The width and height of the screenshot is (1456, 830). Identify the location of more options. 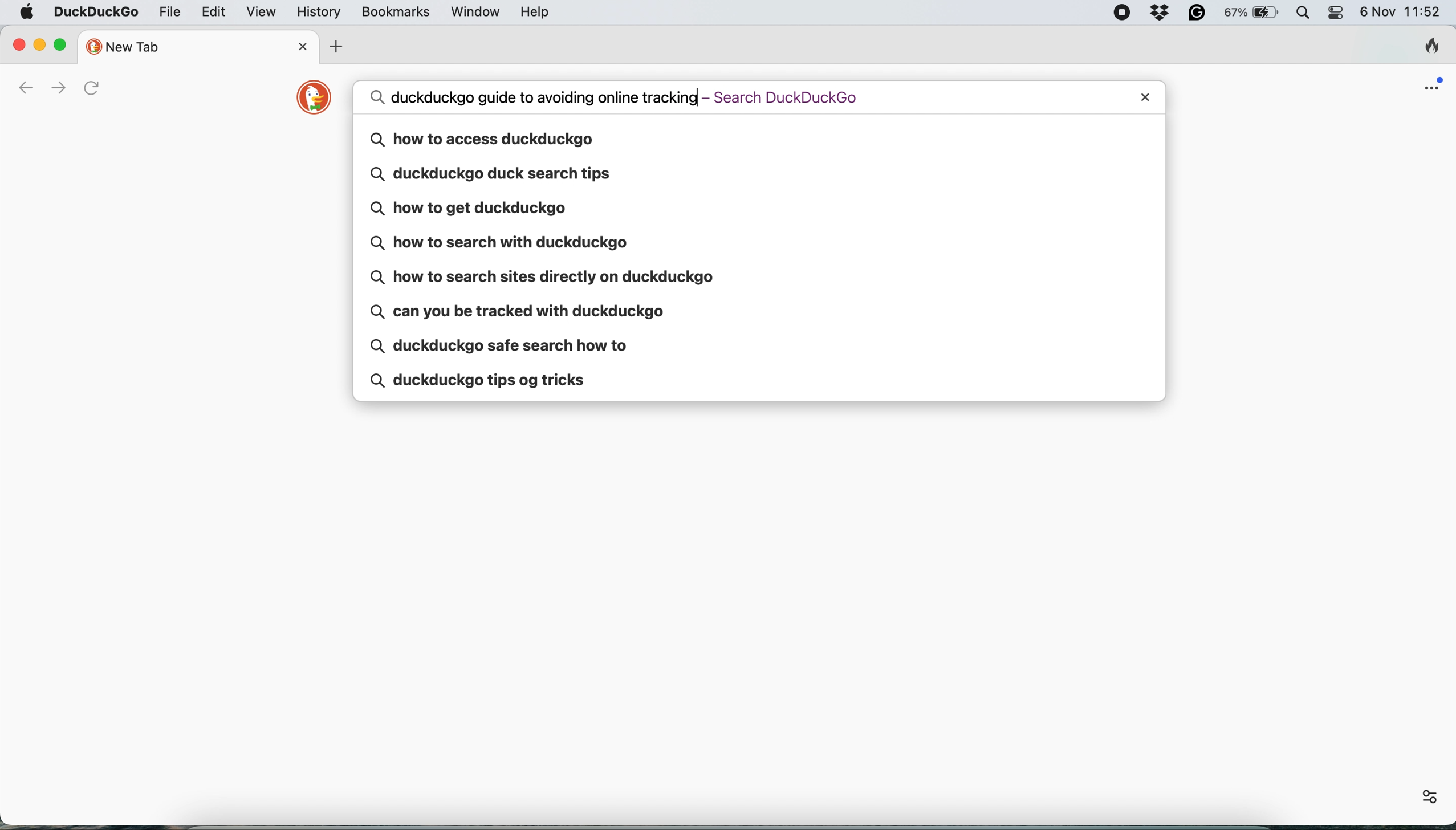
(1417, 795).